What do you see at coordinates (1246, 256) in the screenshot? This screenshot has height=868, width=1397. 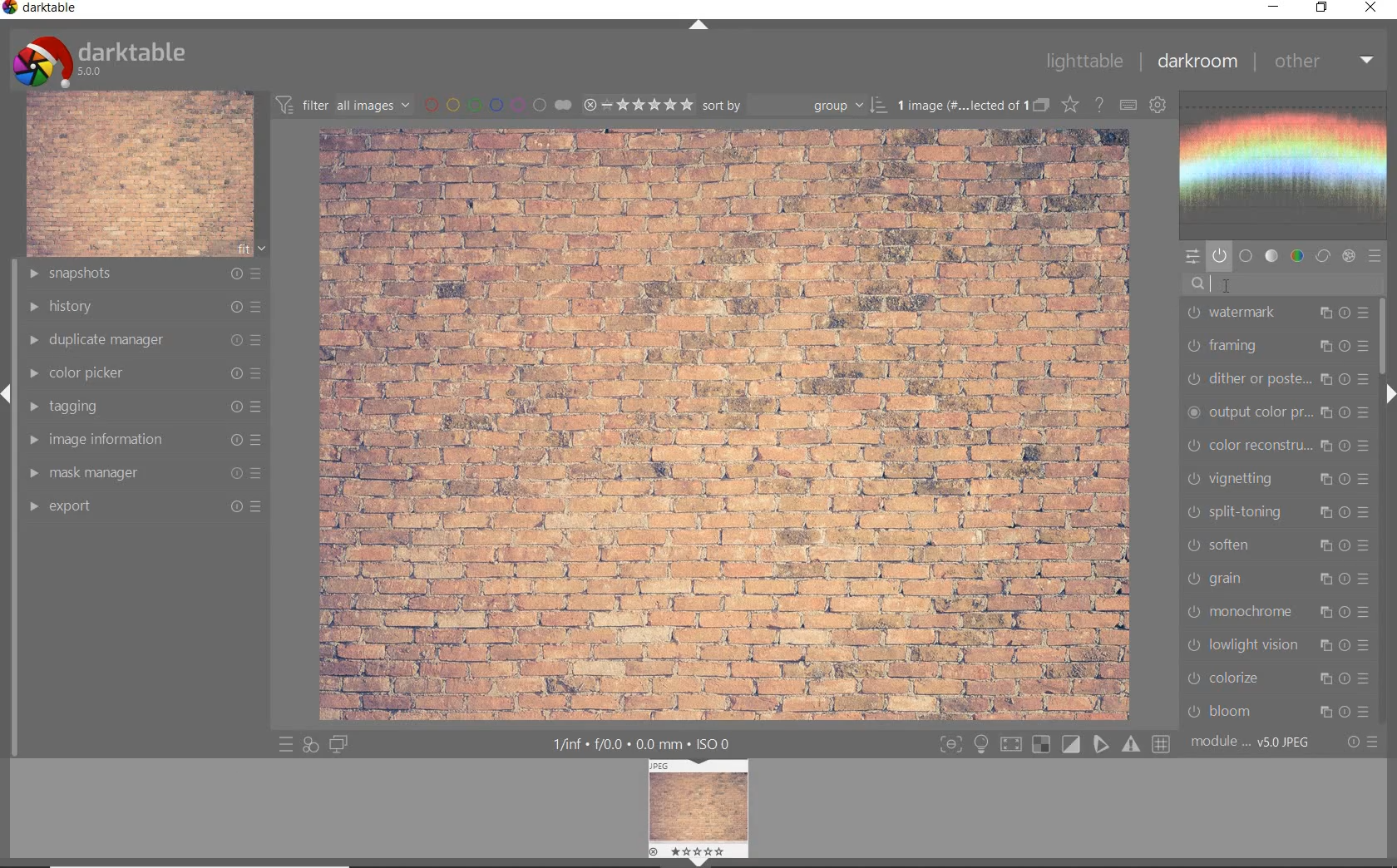 I see `base` at bounding box center [1246, 256].